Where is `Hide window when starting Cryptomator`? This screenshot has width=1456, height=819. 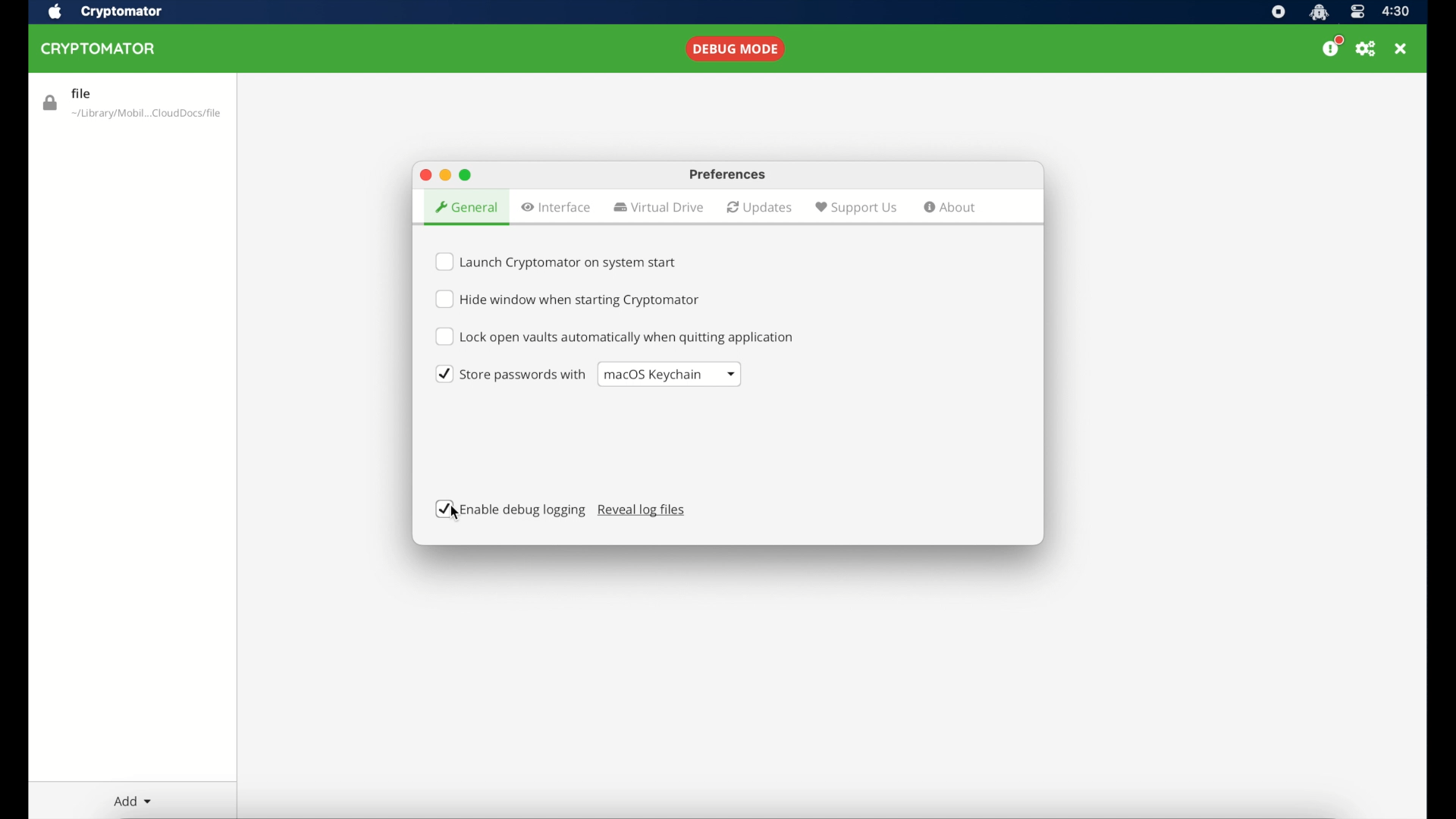
Hide window when starting Cryptomator is located at coordinates (574, 301).